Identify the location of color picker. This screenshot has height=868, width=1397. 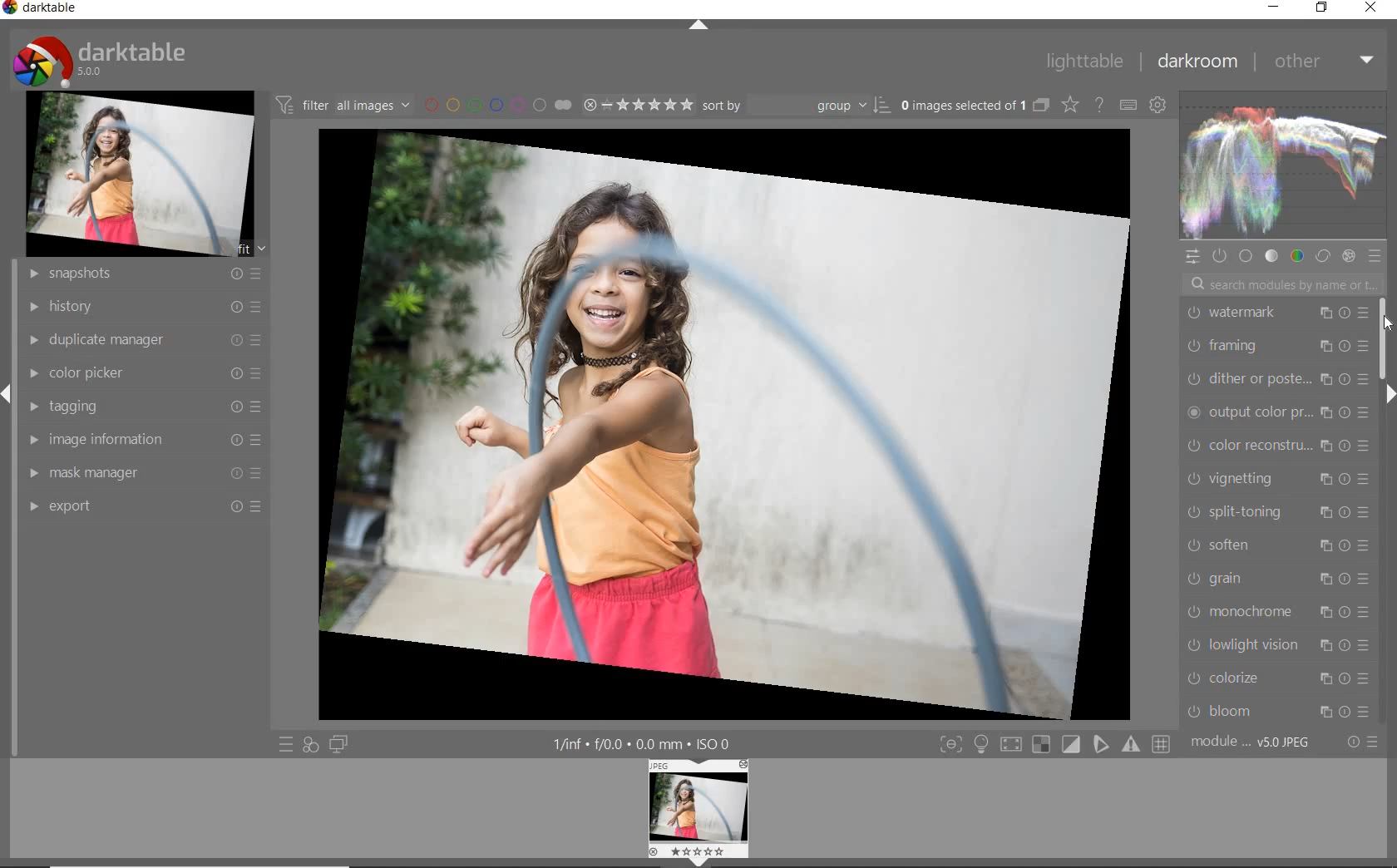
(142, 372).